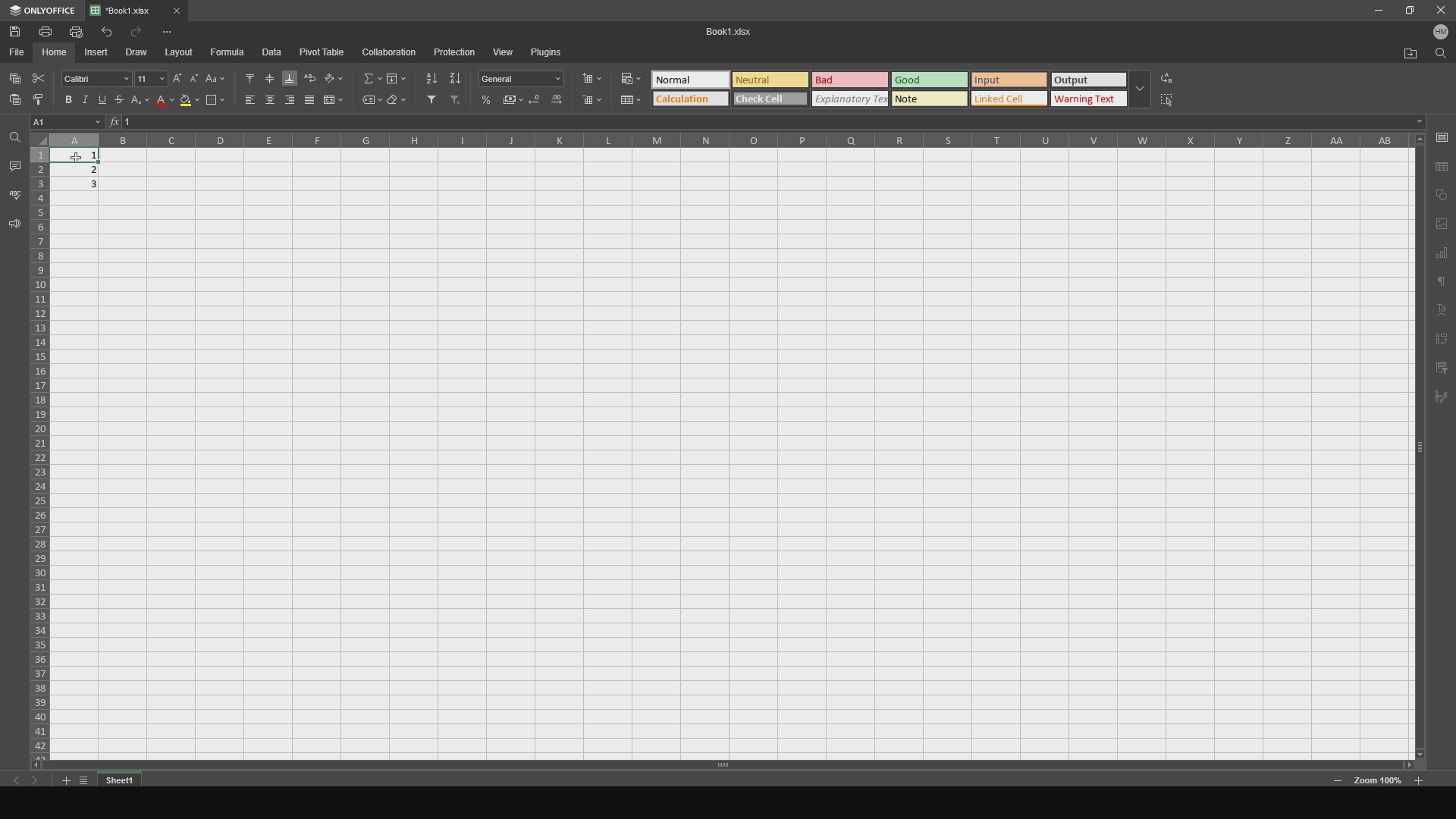 This screenshot has height=819, width=1456. What do you see at coordinates (901, 86) in the screenshot?
I see `time of text` at bounding box center [901, 86].